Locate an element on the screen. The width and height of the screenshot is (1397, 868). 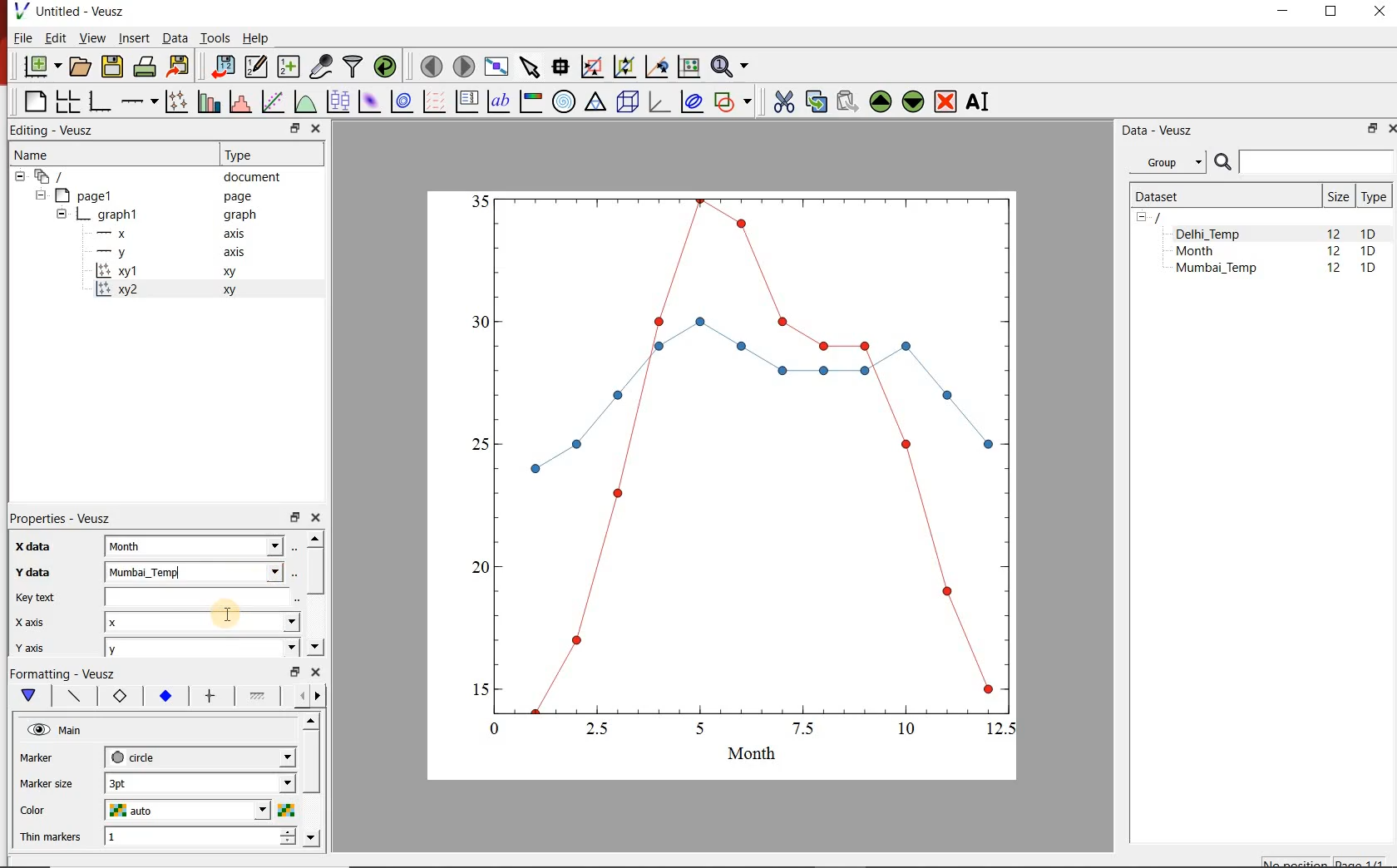
Formatting - Veusz is located at coordinates (67, 673).